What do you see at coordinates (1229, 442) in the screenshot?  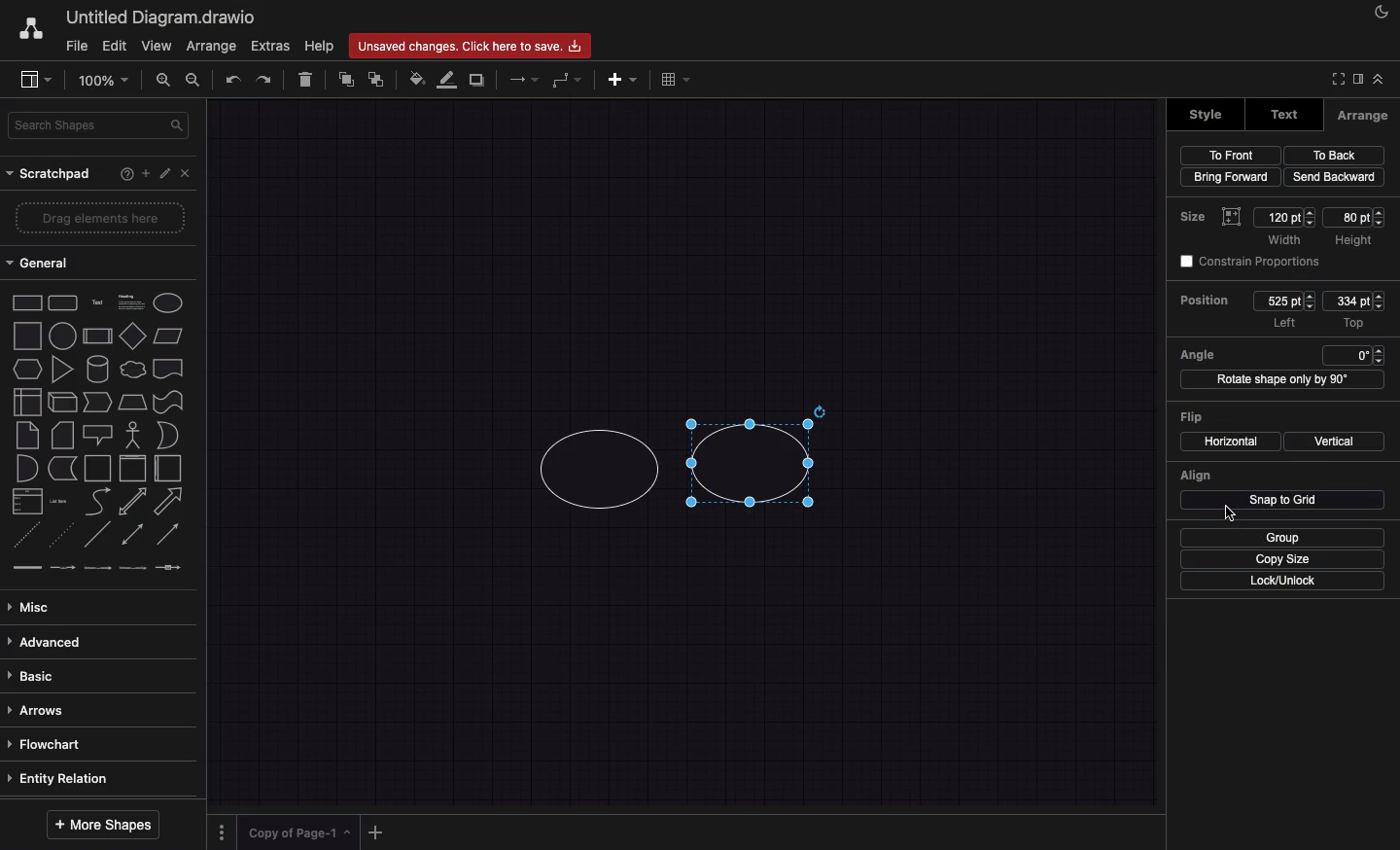 I see `horizontal ` at bounding box center [1229, 442].